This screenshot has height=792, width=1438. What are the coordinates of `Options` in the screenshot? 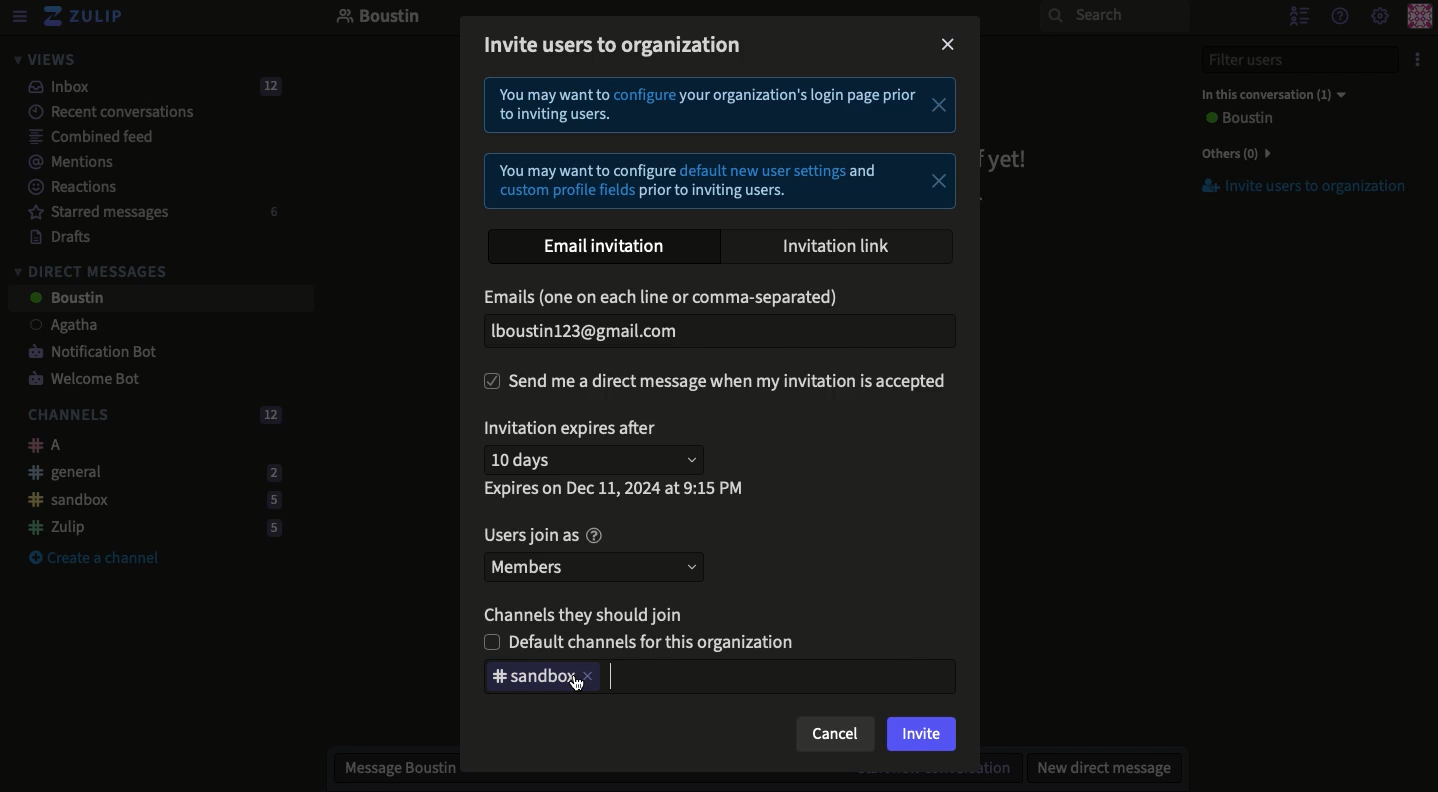 It's located at (1415, 60).